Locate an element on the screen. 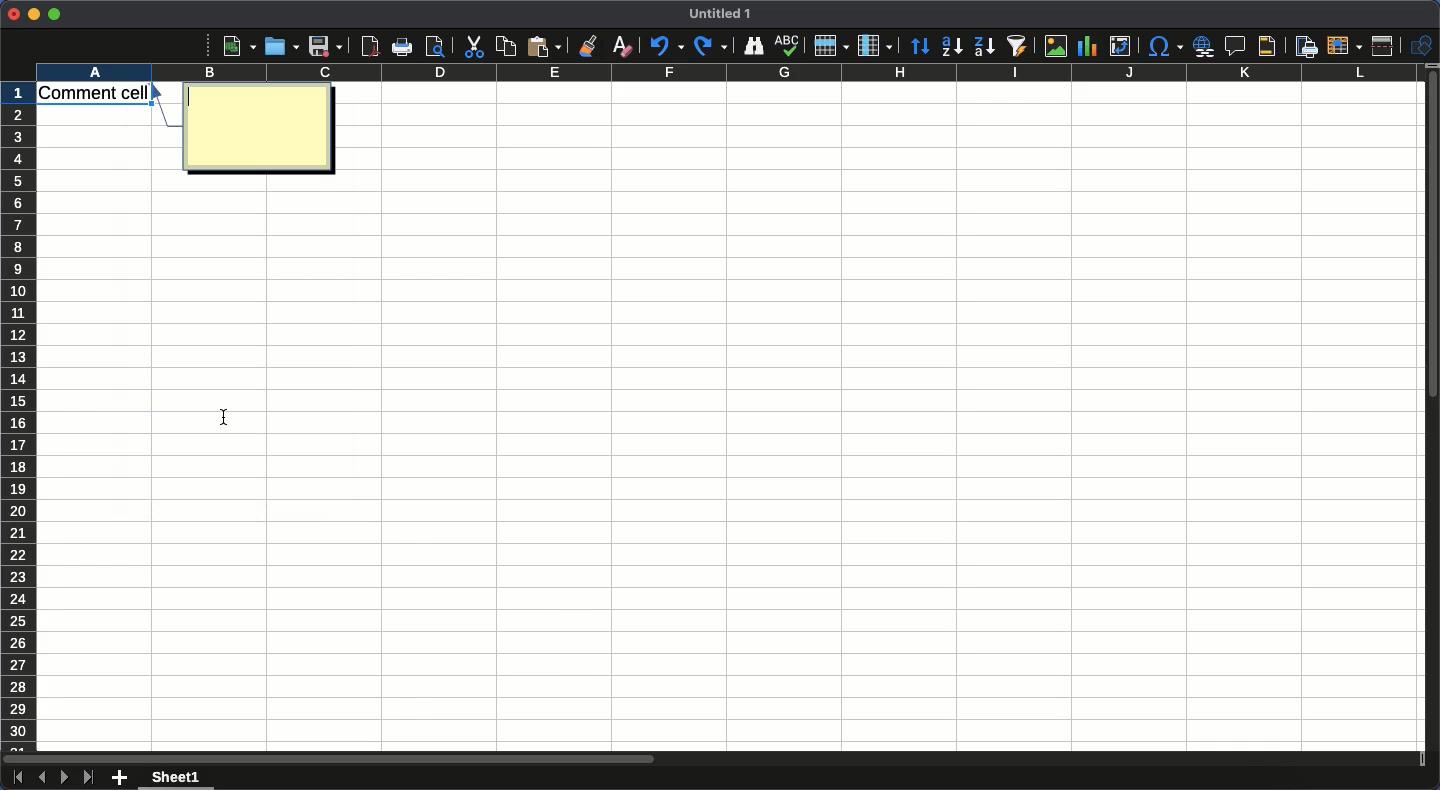 The image size is (1440, 790). print preview is located at coordinates (437, 44).